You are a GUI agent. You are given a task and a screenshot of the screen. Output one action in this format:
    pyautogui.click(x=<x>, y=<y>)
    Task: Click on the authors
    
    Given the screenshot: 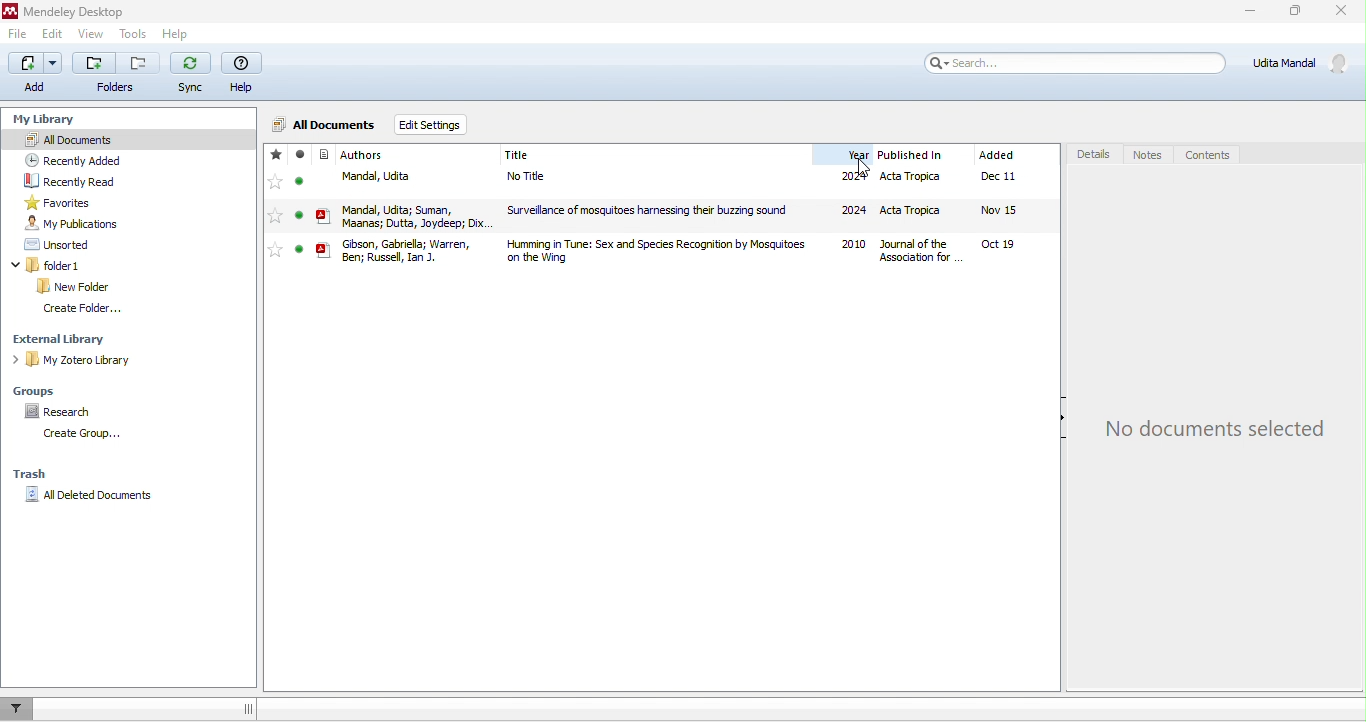 What is the action you would take?
    pyautogui.click(x=357, y=154)
    